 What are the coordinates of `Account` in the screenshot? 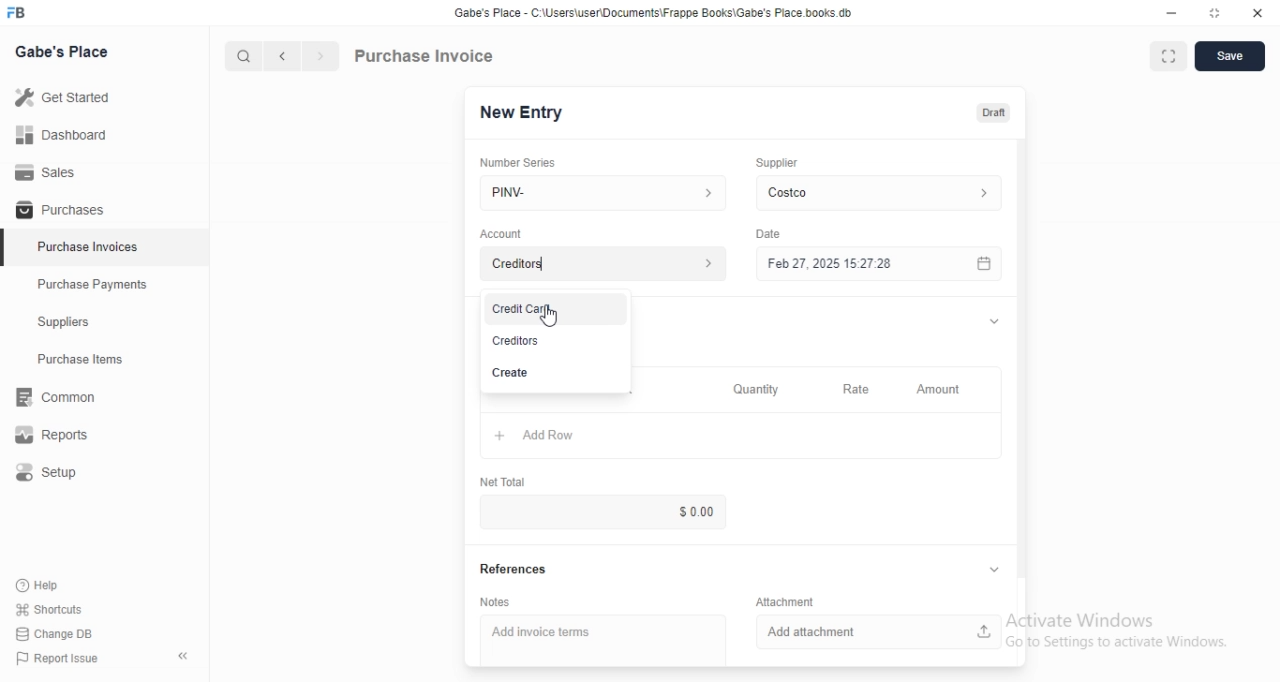 It's located at (501, 234).